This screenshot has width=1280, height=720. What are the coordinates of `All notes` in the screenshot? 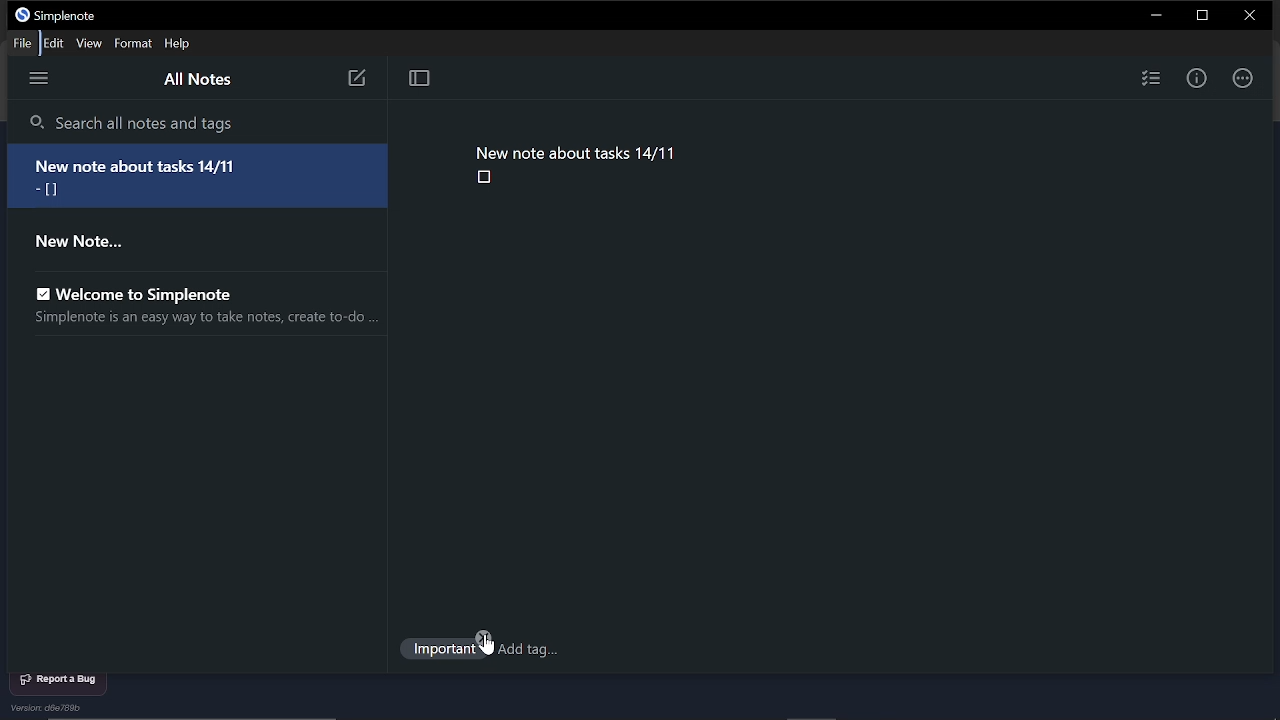 It's located at (197, 82).